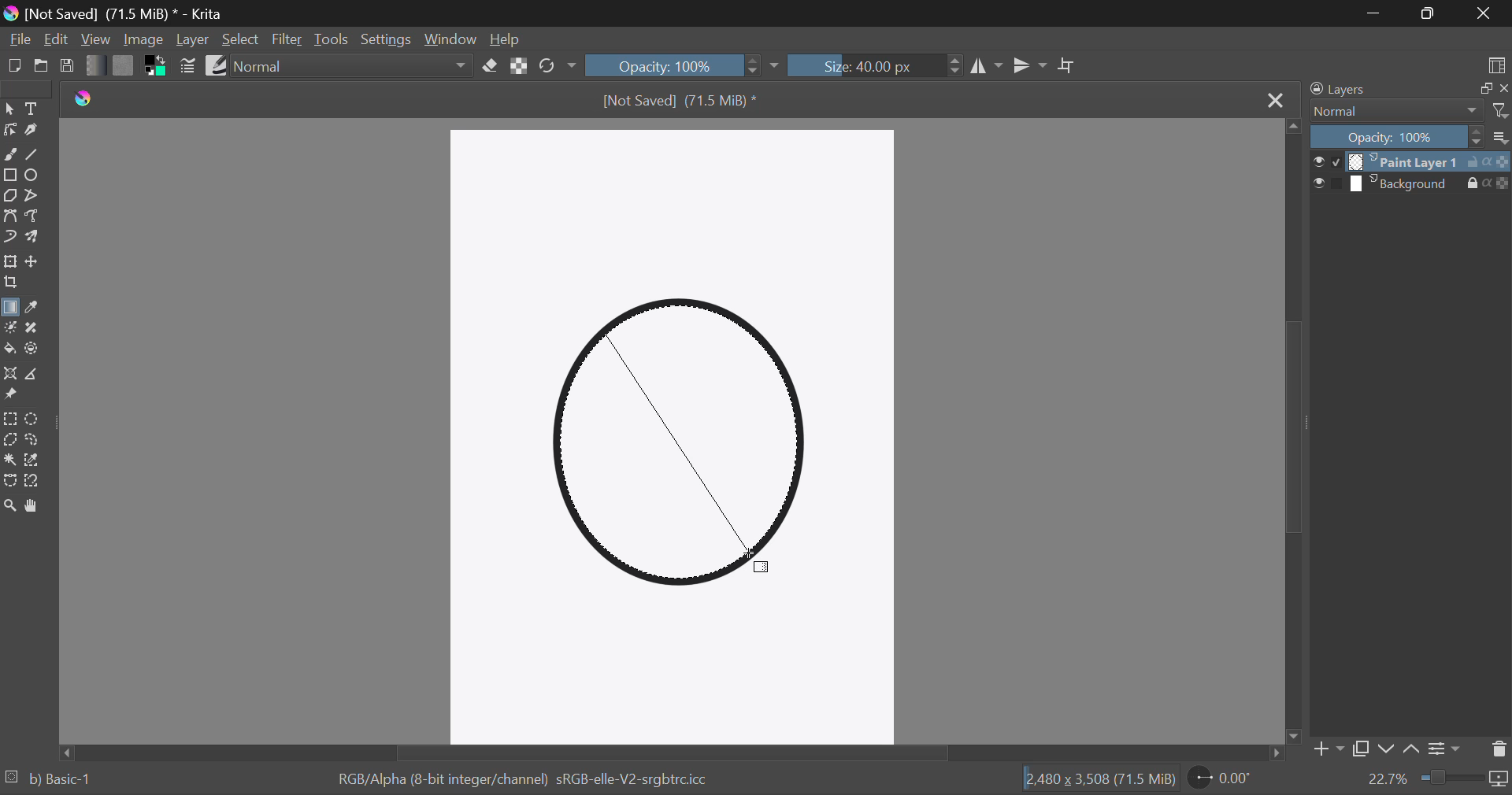  I want to click on Restore Down, so click(1374, 14).